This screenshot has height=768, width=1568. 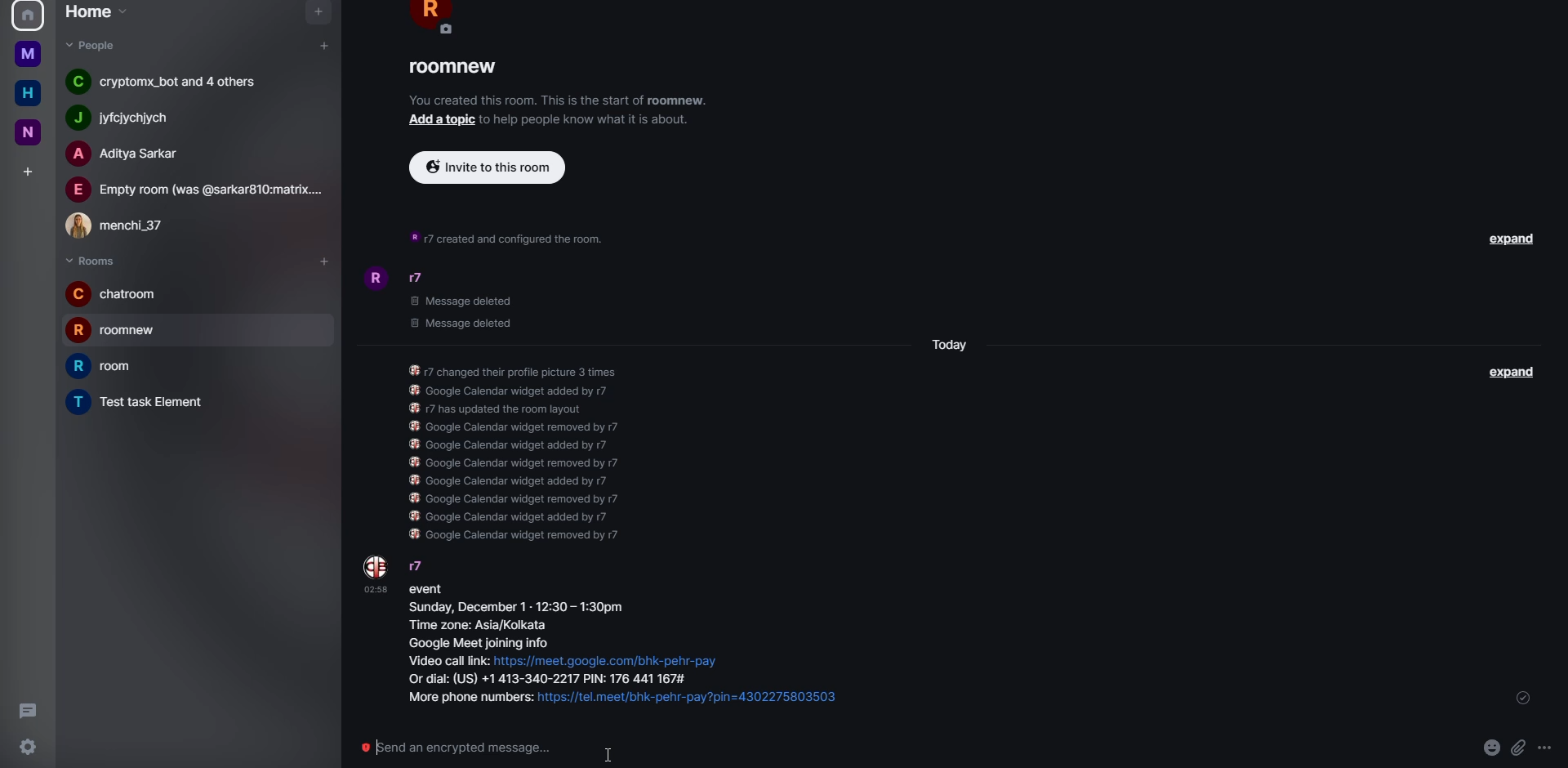 I want to click on people, so click(x=132, y=154).